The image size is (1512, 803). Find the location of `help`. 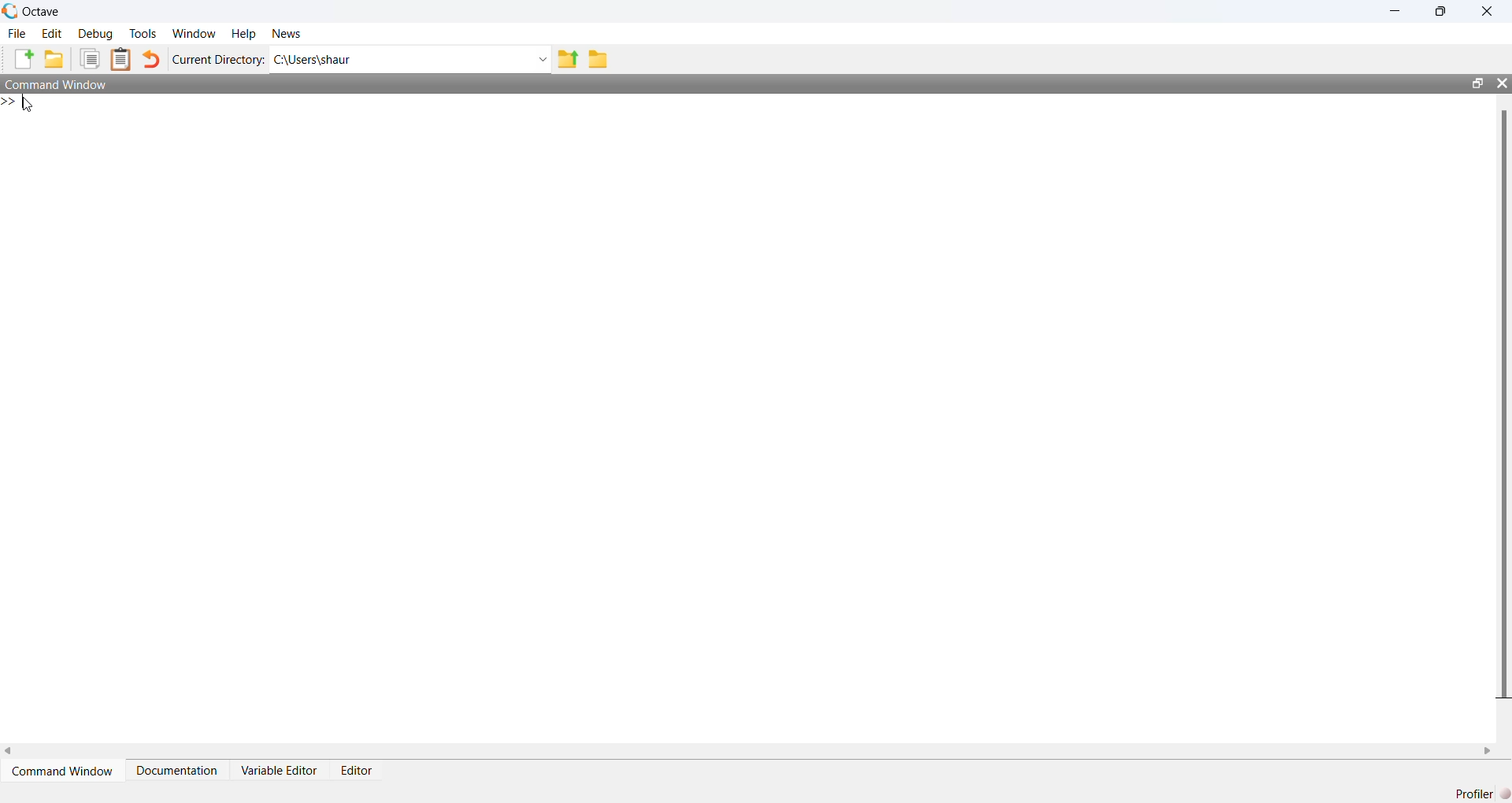

help is located at coordinates (243, 35).